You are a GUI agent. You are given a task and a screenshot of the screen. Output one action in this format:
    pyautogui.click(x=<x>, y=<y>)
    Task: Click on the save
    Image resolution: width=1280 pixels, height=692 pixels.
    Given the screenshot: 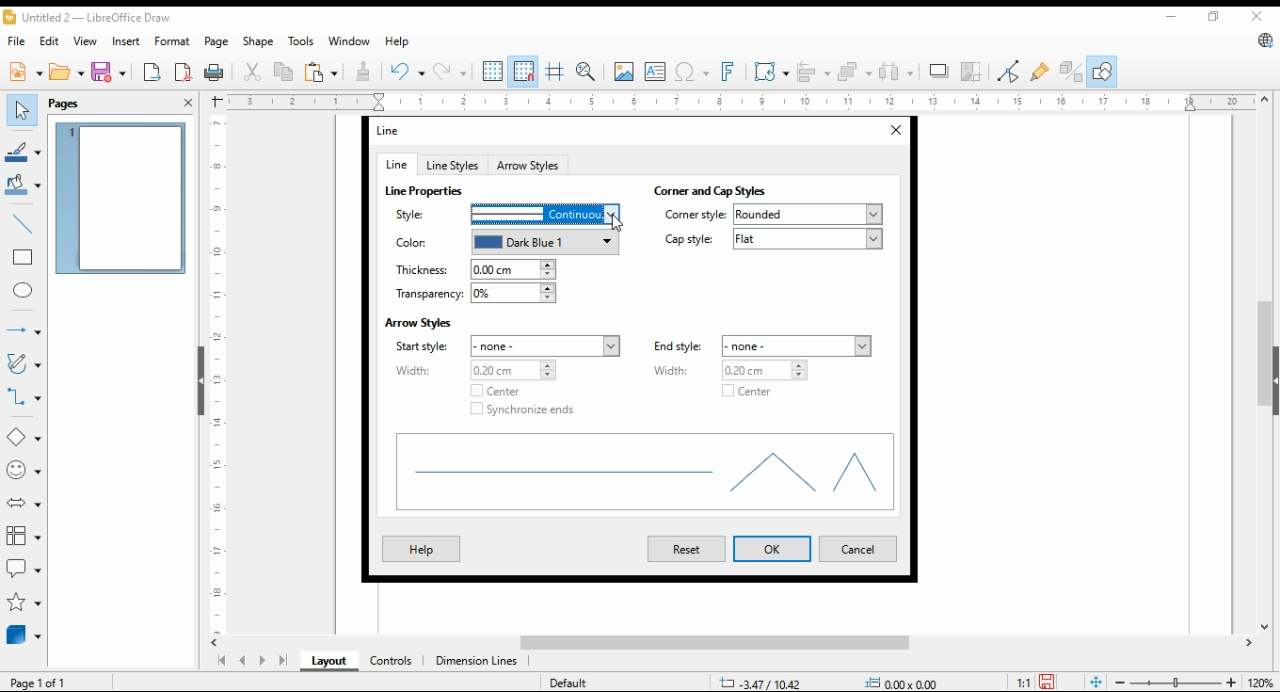 What is the action you would take?
    pyautogui.click(x=107, y=71)
    